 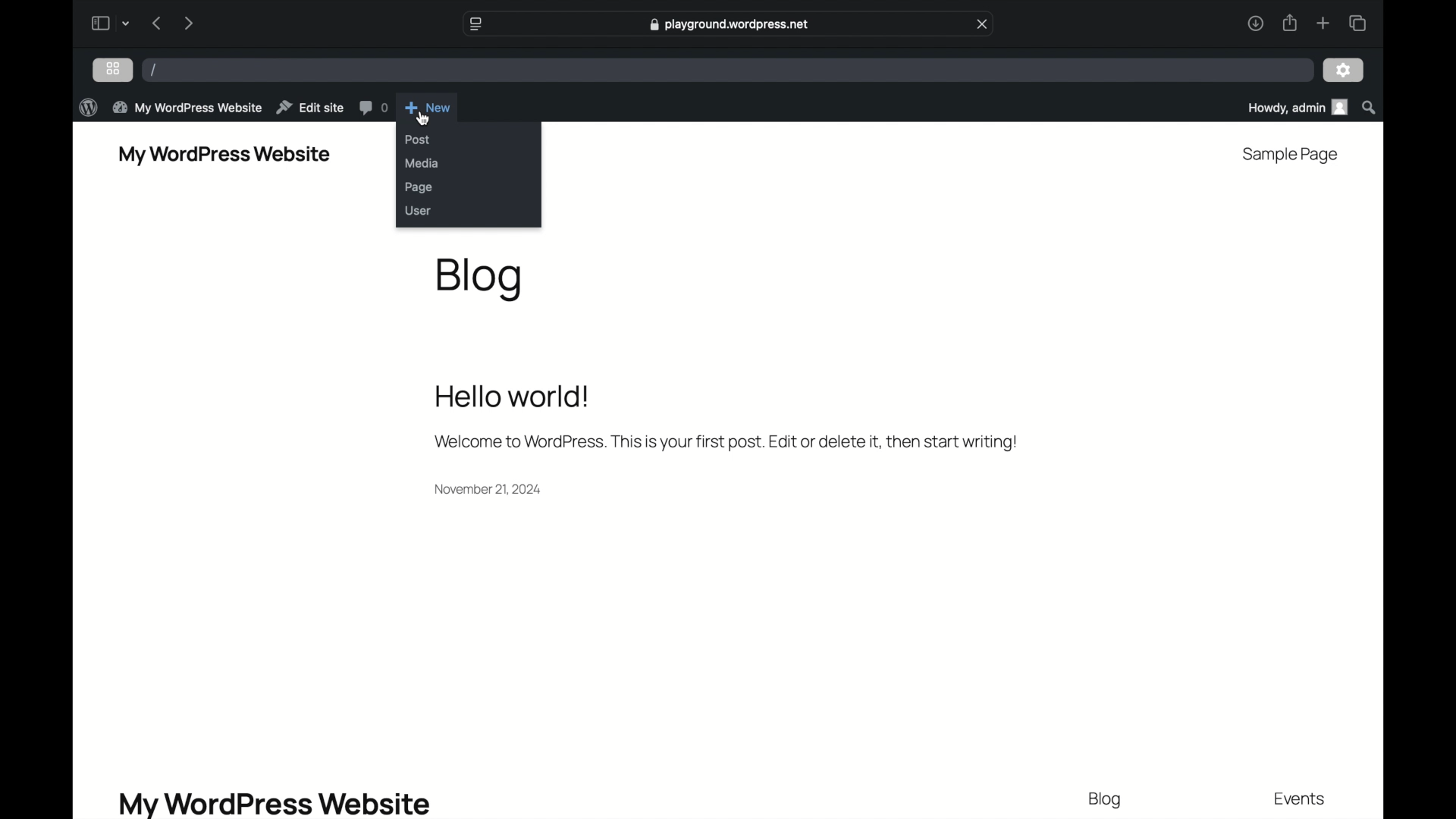 What do you see at coordinates (417, 140) in the screenshot?
I see `post` at bounding box center [417, 140].